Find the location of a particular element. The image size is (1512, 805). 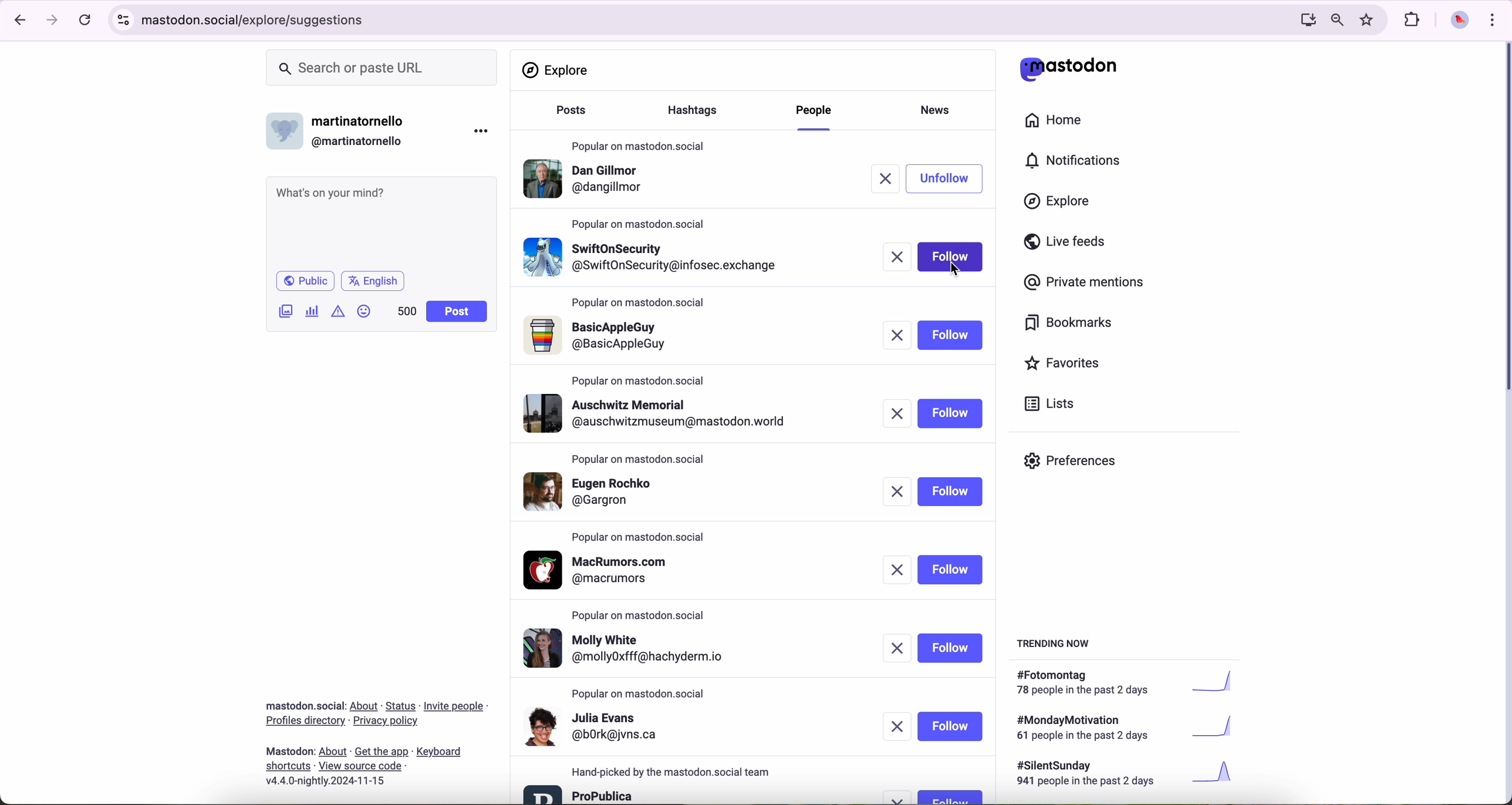

unfollow button is located at coordinates (947, 177).